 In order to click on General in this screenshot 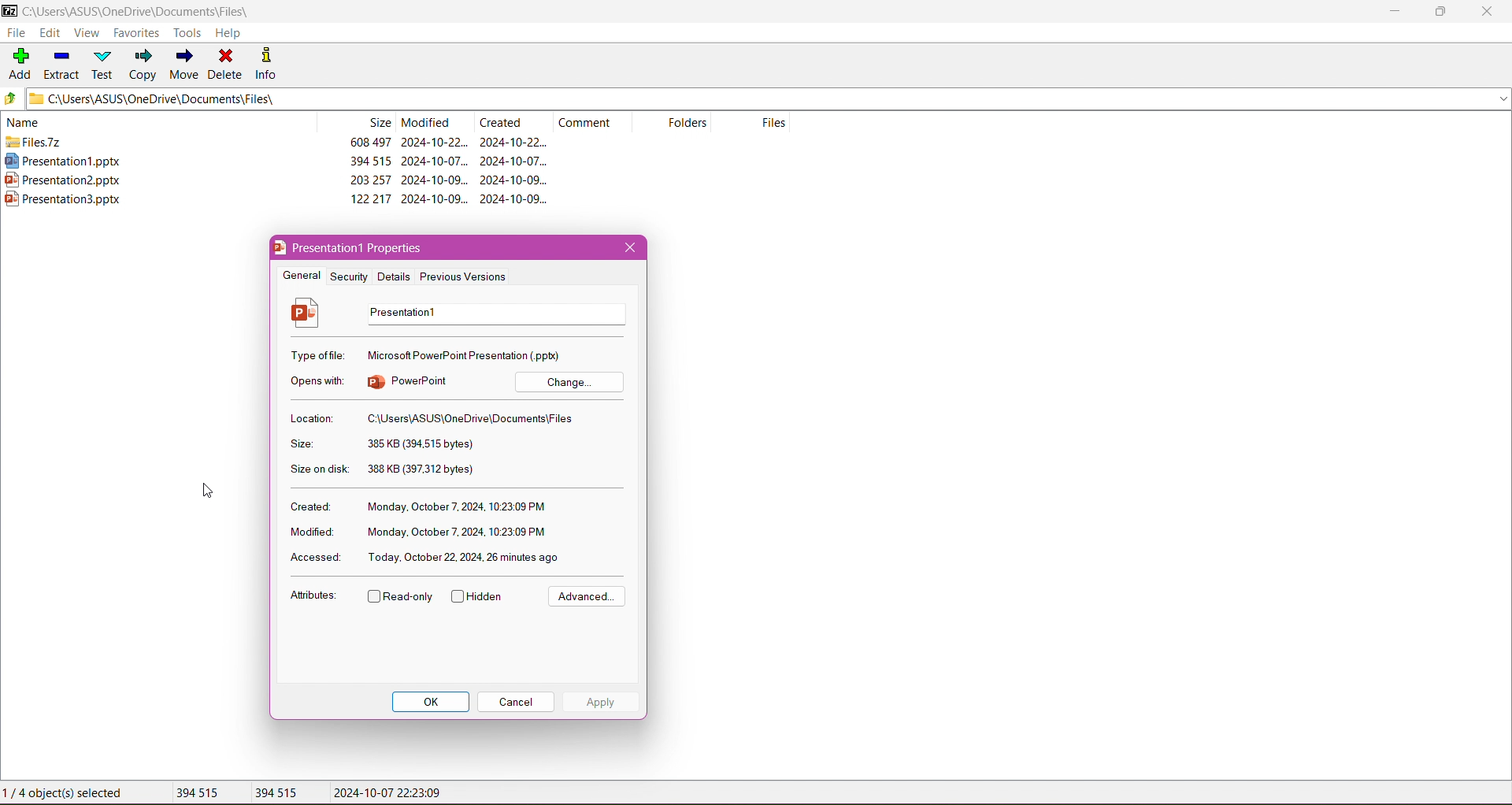, I will do `click(300, 276)`.